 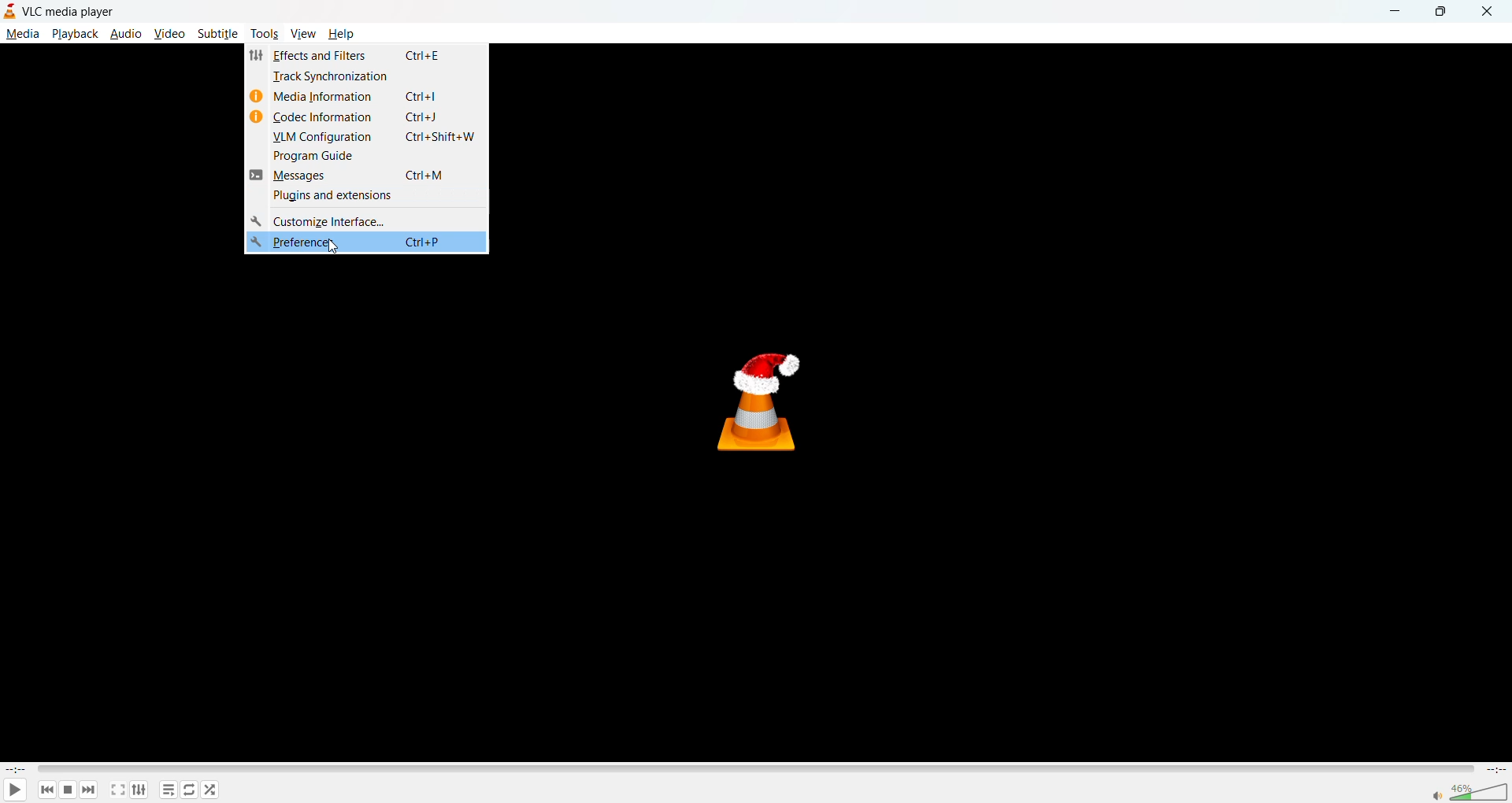 I want to click on playlist, so click(x=169, y=790).